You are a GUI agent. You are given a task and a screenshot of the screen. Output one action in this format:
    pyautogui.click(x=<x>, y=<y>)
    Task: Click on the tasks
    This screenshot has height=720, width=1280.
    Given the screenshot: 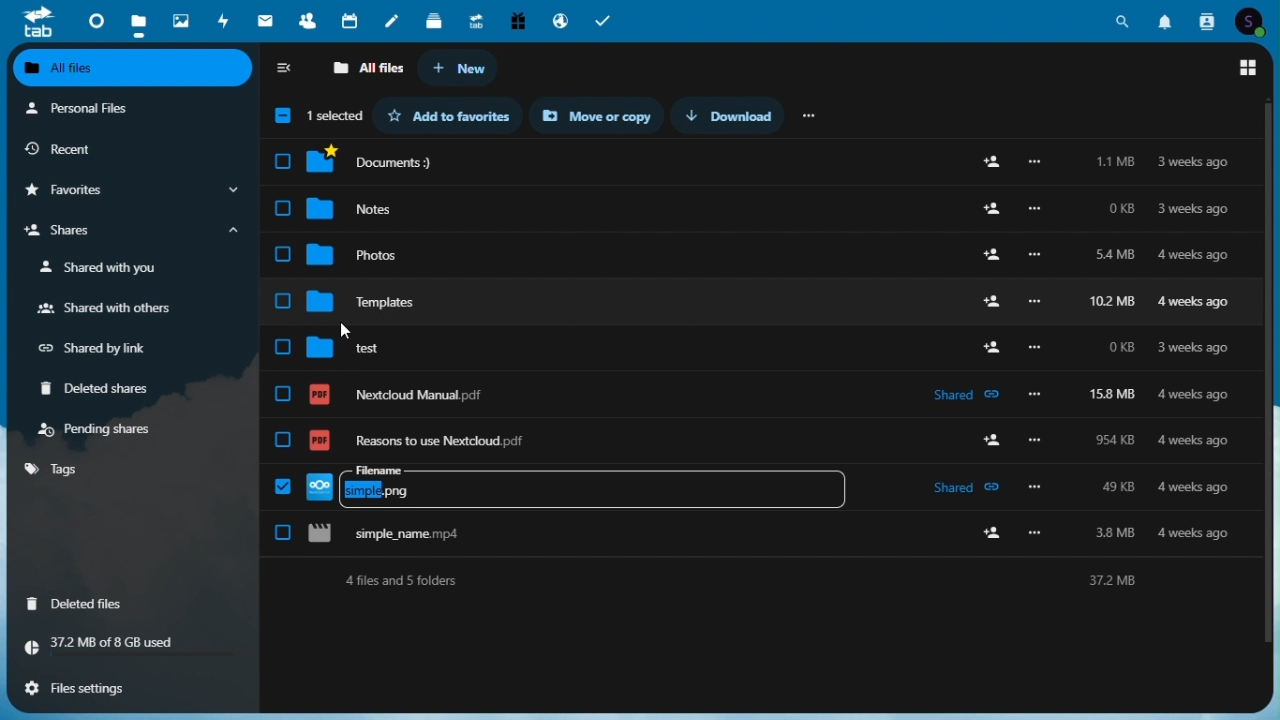 What is the action you would take?
    pyautogui.click(x=606, y=19)
    